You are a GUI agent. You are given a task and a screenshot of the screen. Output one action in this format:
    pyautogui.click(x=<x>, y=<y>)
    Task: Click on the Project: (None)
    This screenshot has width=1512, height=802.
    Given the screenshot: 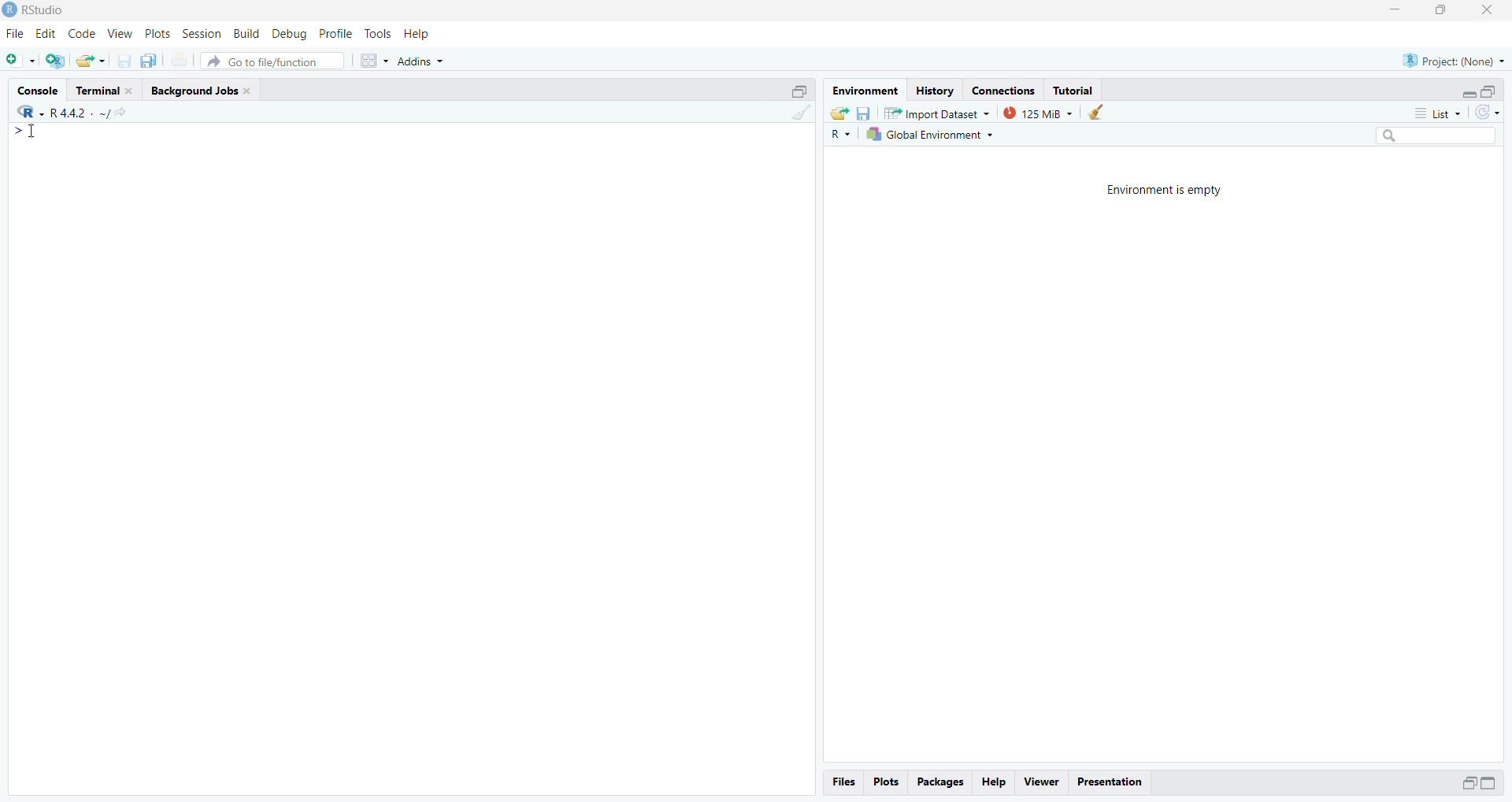 What is the action you would take?
    pyautogui.click(x=1455, y=60)
    